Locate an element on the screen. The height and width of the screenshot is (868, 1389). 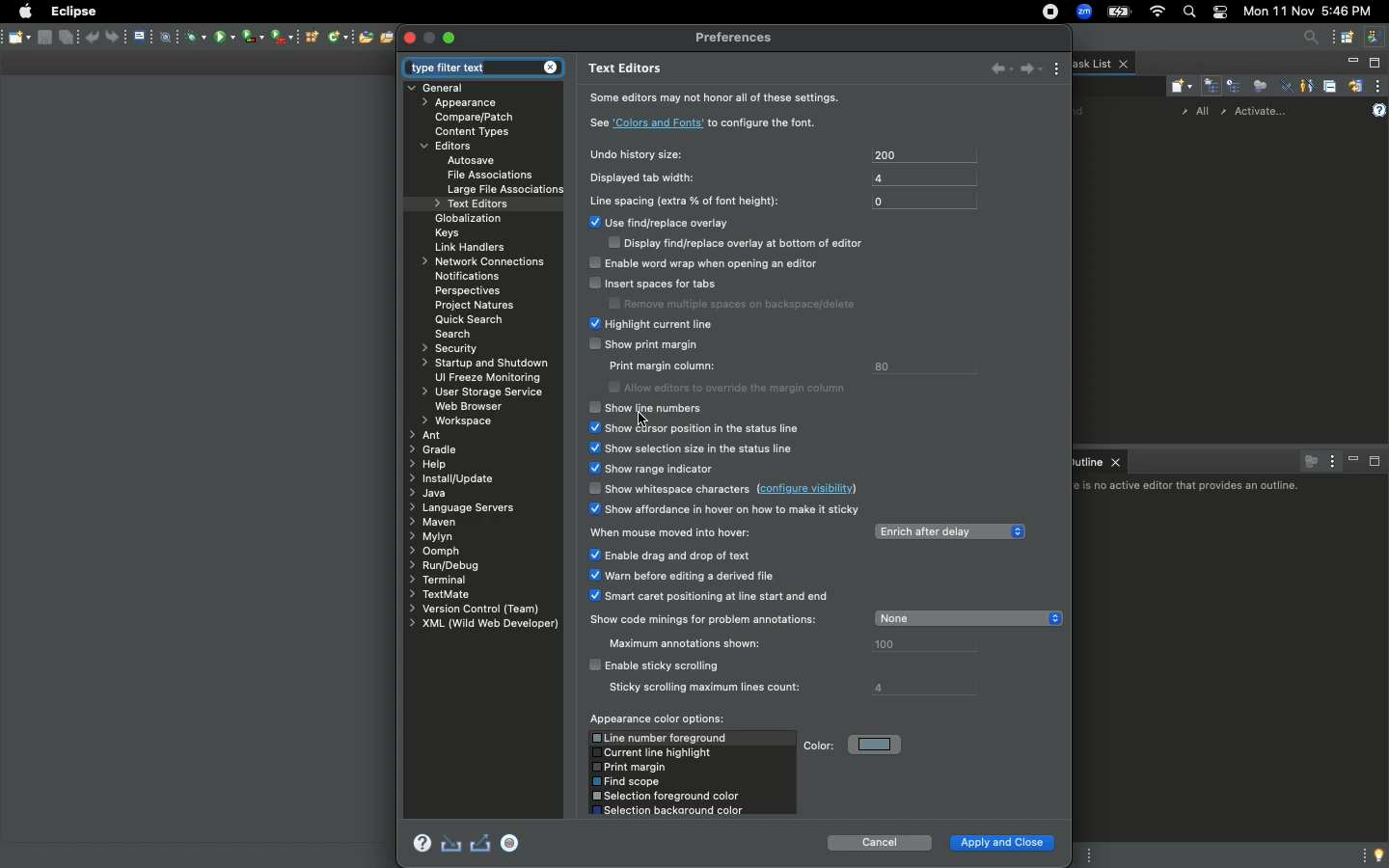
View menu is located at coordinates (1058, 68).